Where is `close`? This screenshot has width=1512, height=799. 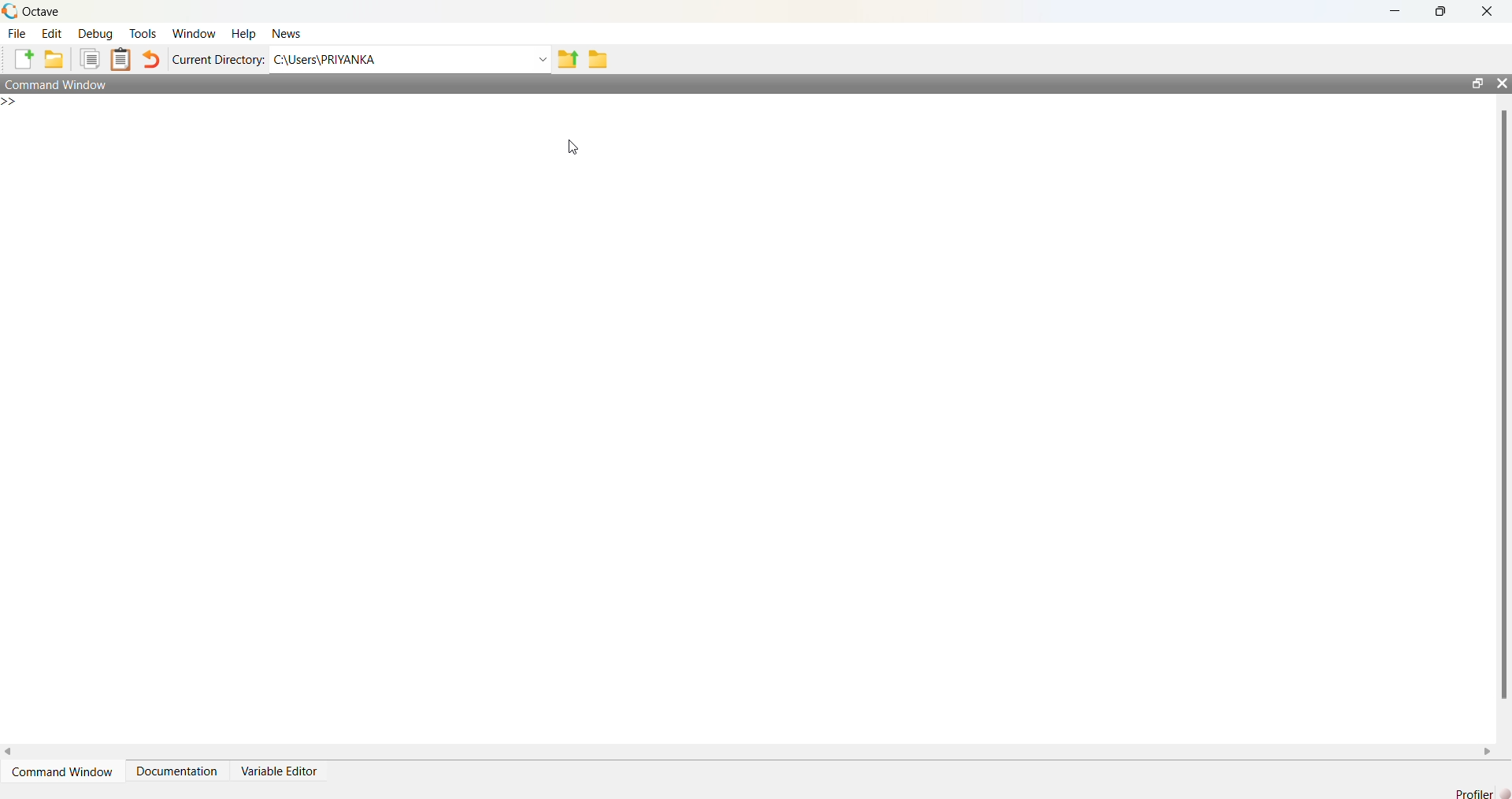
close is located at coordinates (1502, 83).